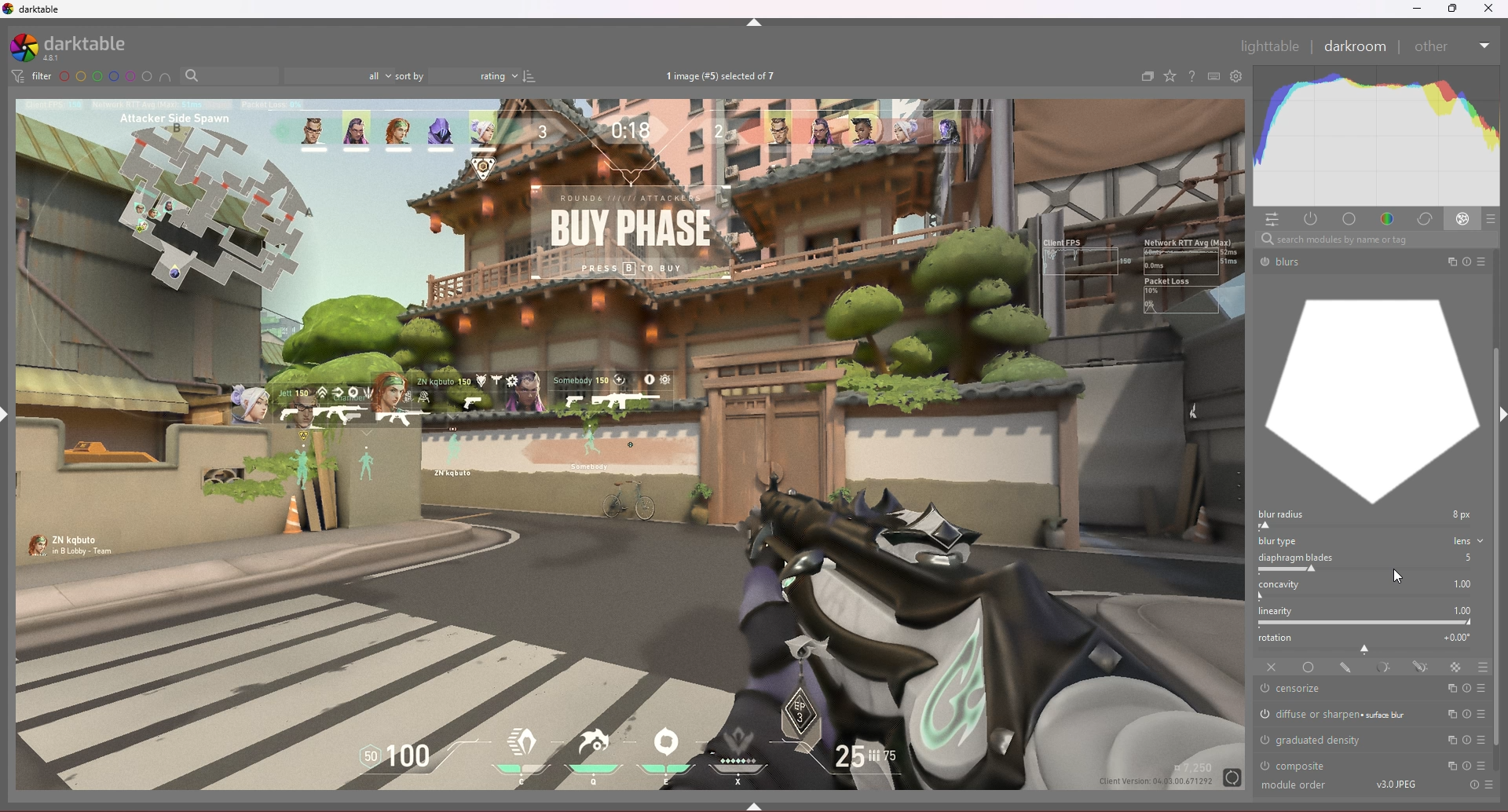 Image resolution: width=1508 pixels, height=812 pixels. I want to click on blur radius, so click(1369, 519).